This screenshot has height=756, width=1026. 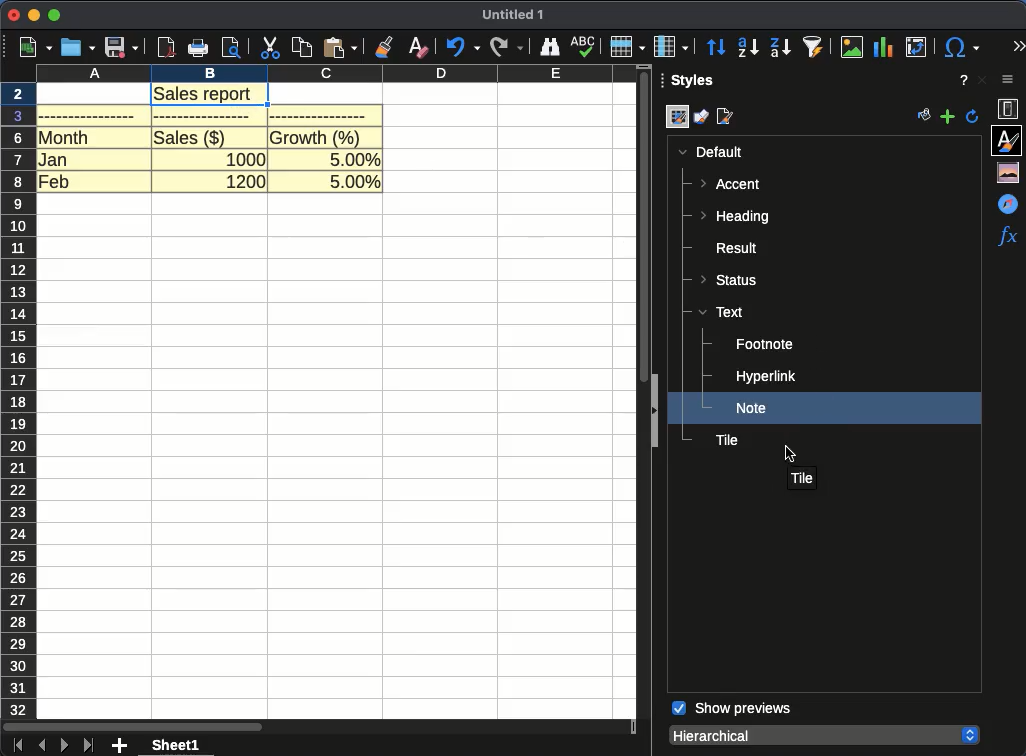 What do you see at coordinates (13, 16) in the screenshot?
I see `close` at bounding box center [13, 16].